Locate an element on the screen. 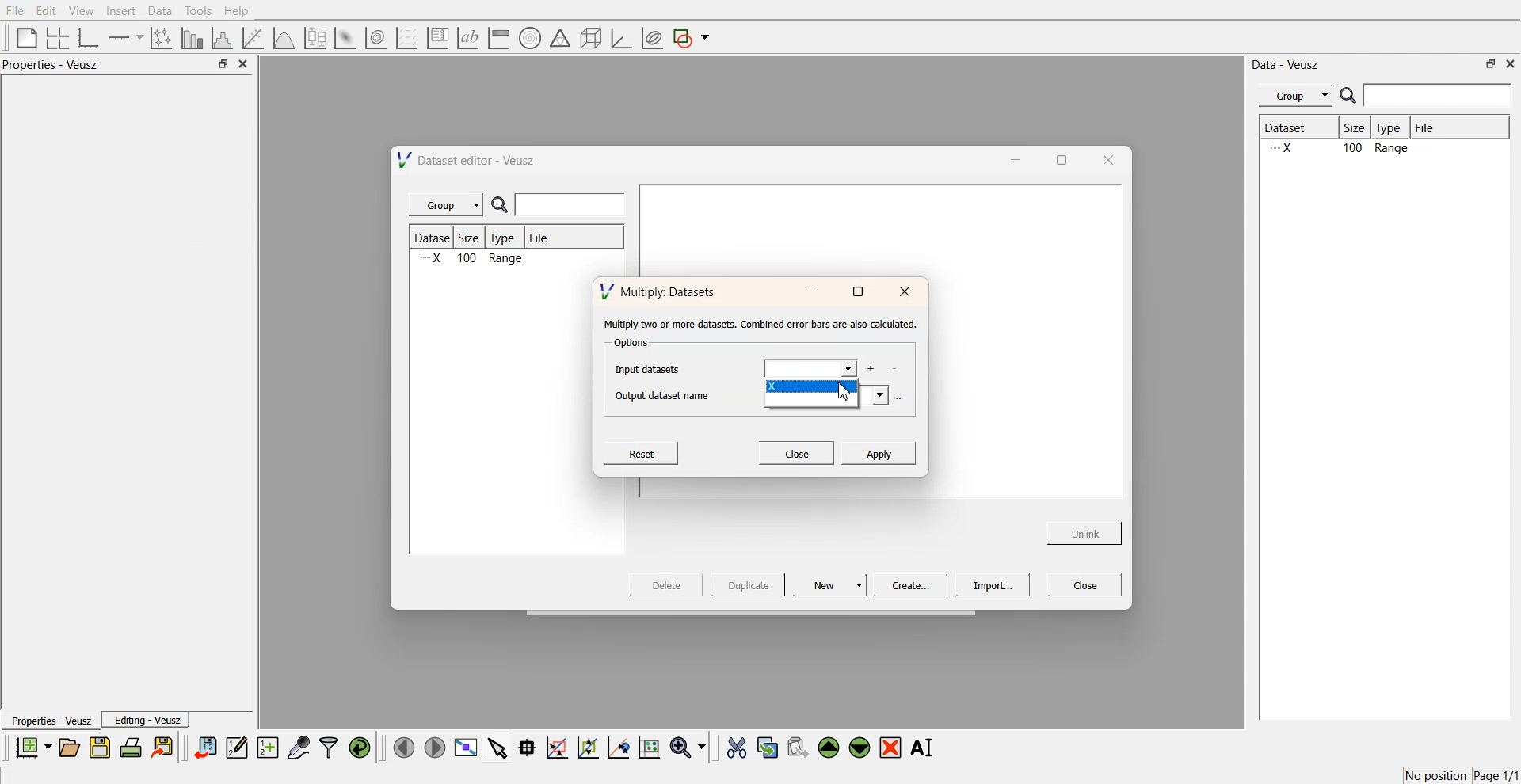 This screenshot has height=784, width=1521. Create... is located at coordinates (908, 584).